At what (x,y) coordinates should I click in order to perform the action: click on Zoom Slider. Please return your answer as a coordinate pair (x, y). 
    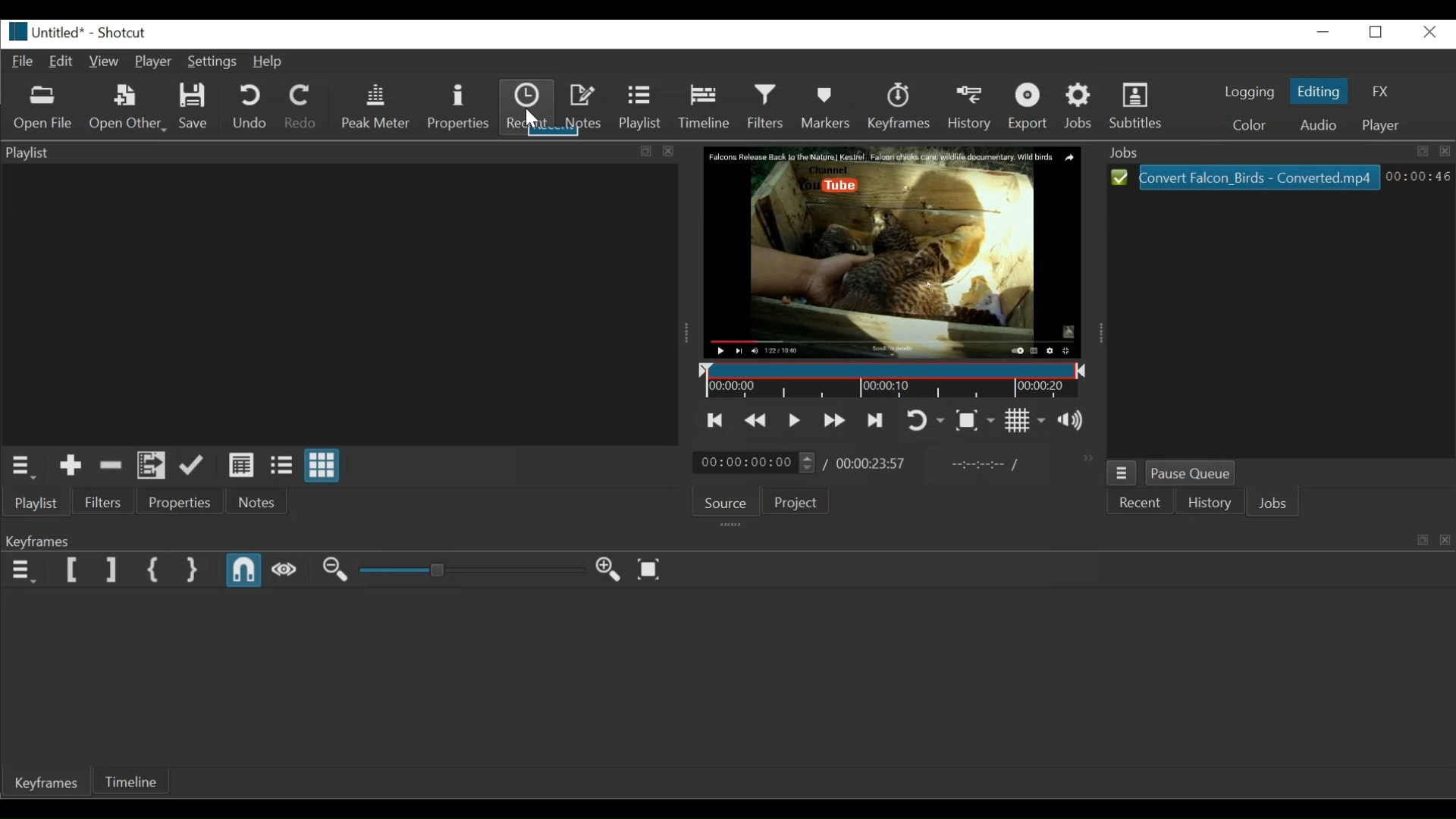
    Looking at the image, I should click on (472, 570).